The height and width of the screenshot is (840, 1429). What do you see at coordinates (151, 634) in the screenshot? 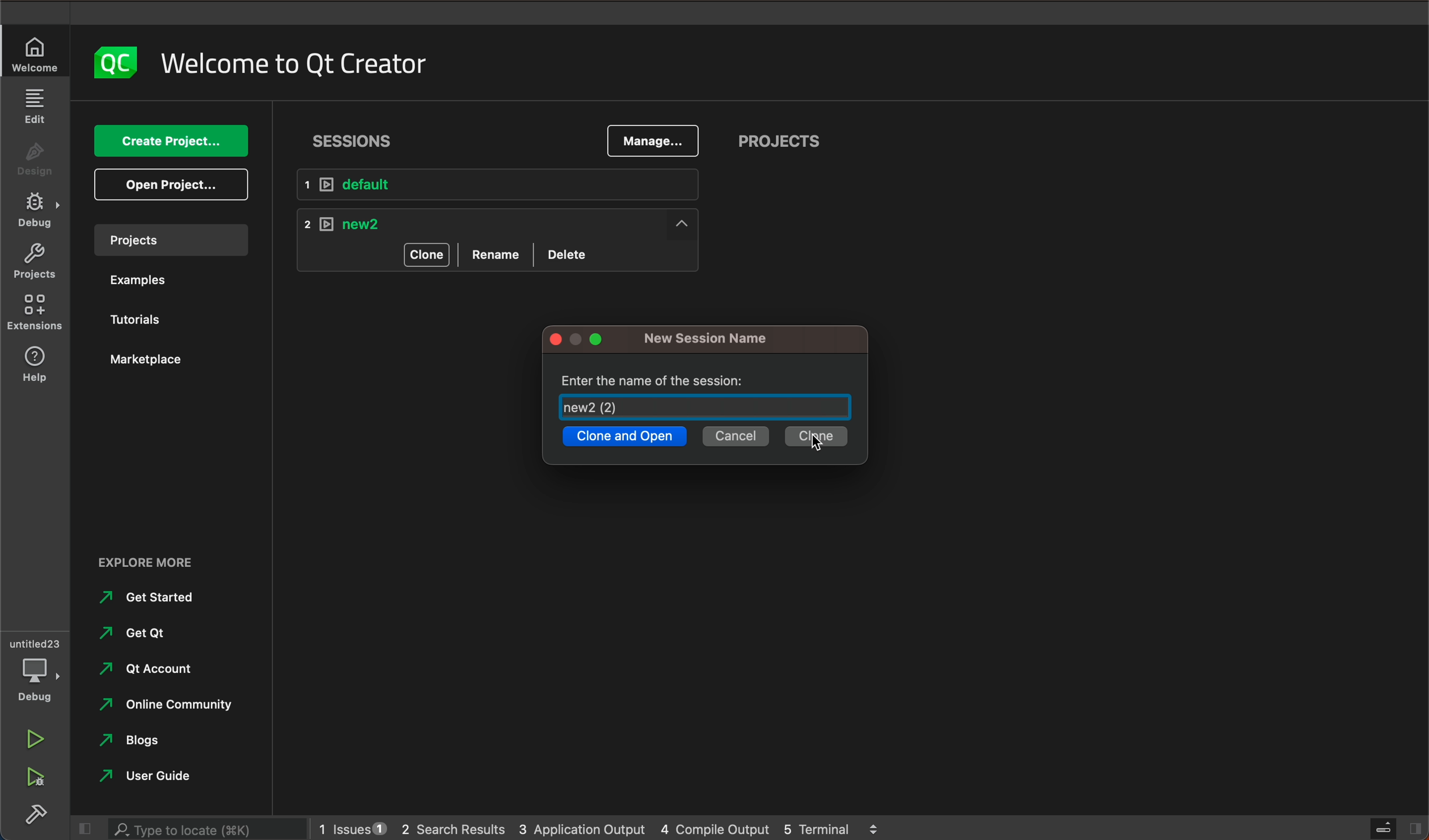
I see `get qt` at bounding box center [151, 634].